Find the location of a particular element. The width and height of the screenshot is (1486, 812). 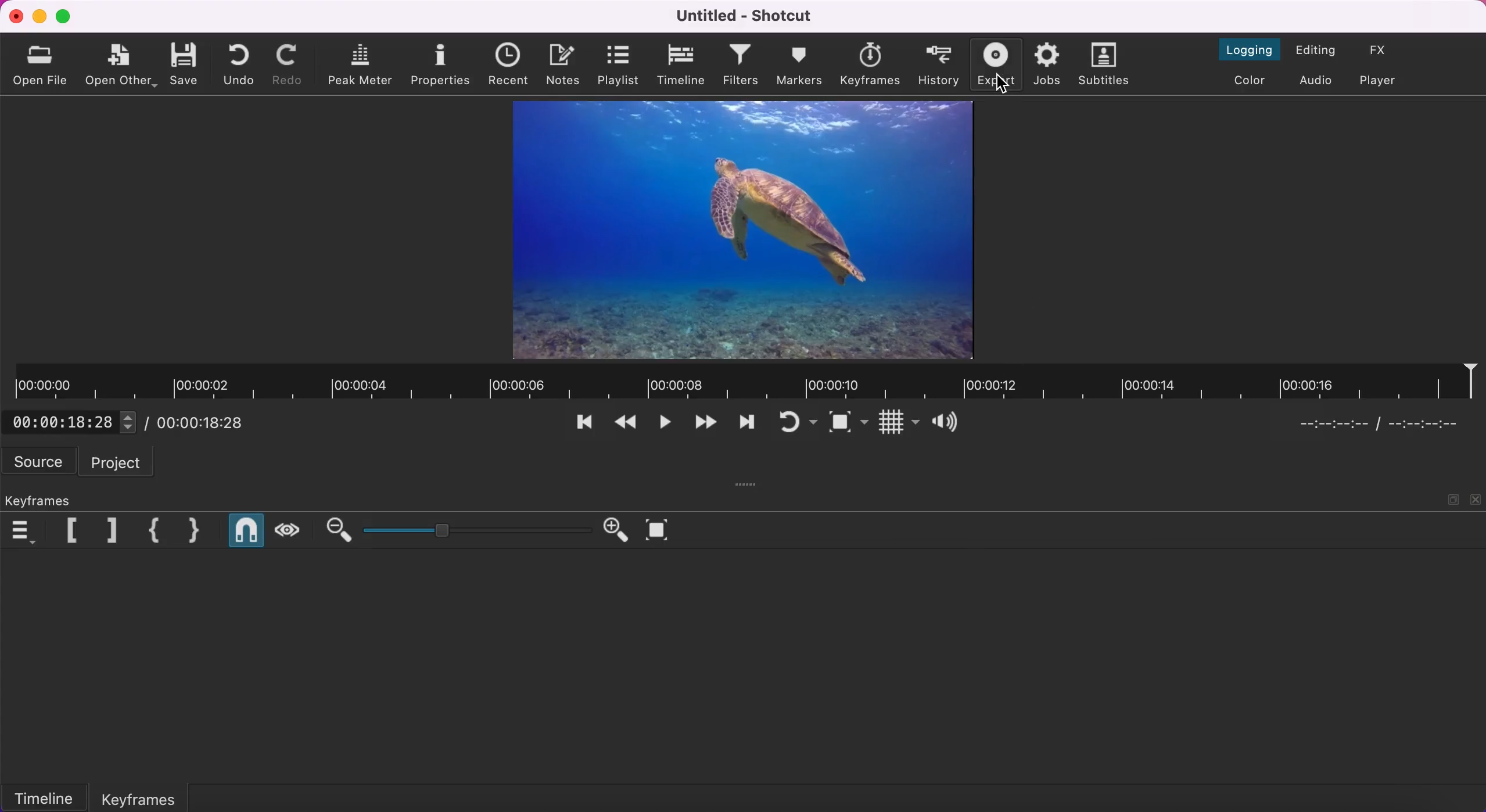

play quickly forwards is located at coordinates (748, 422).